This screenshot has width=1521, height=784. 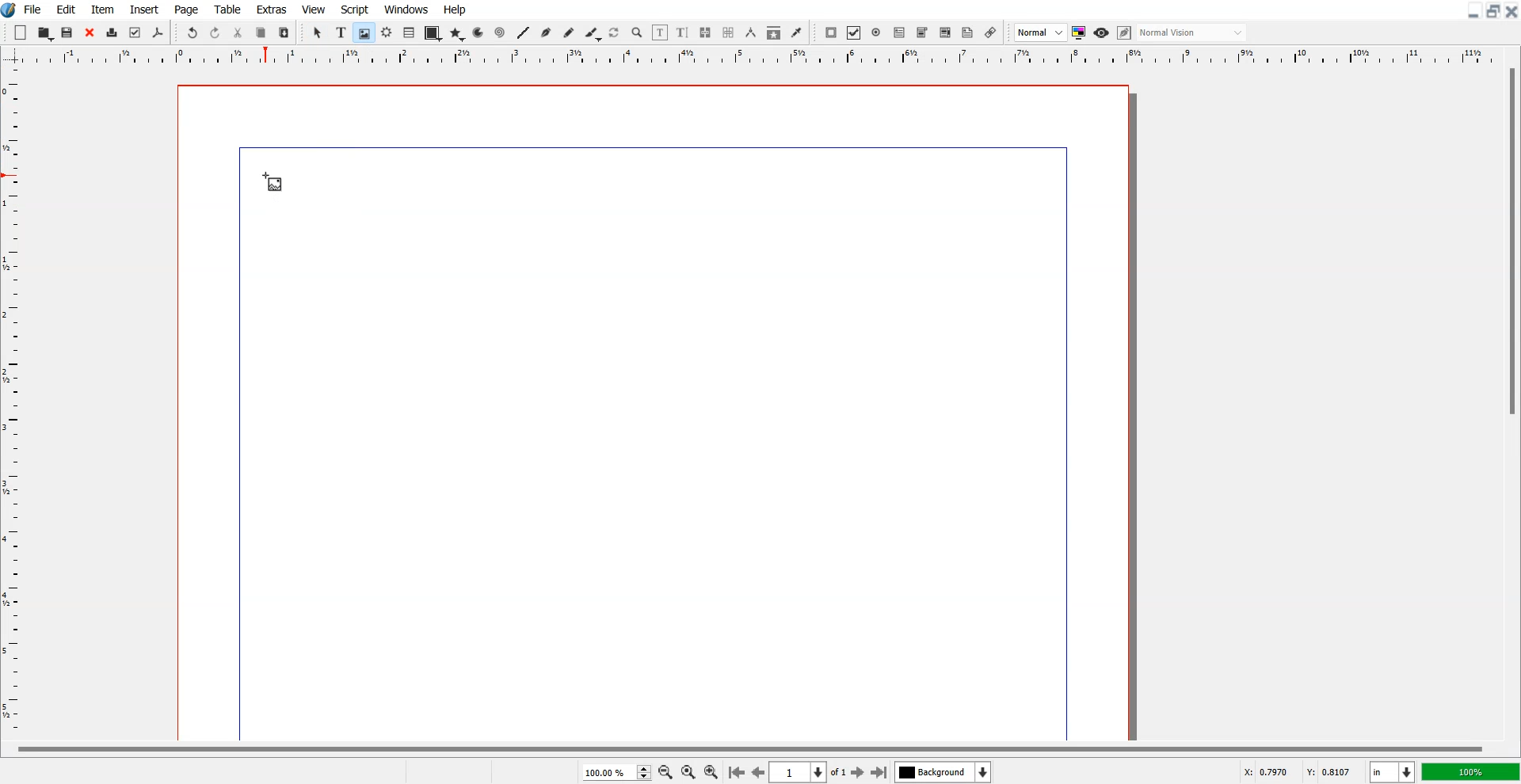 I want to click on Zoom Out, so click(x=665, y=771).